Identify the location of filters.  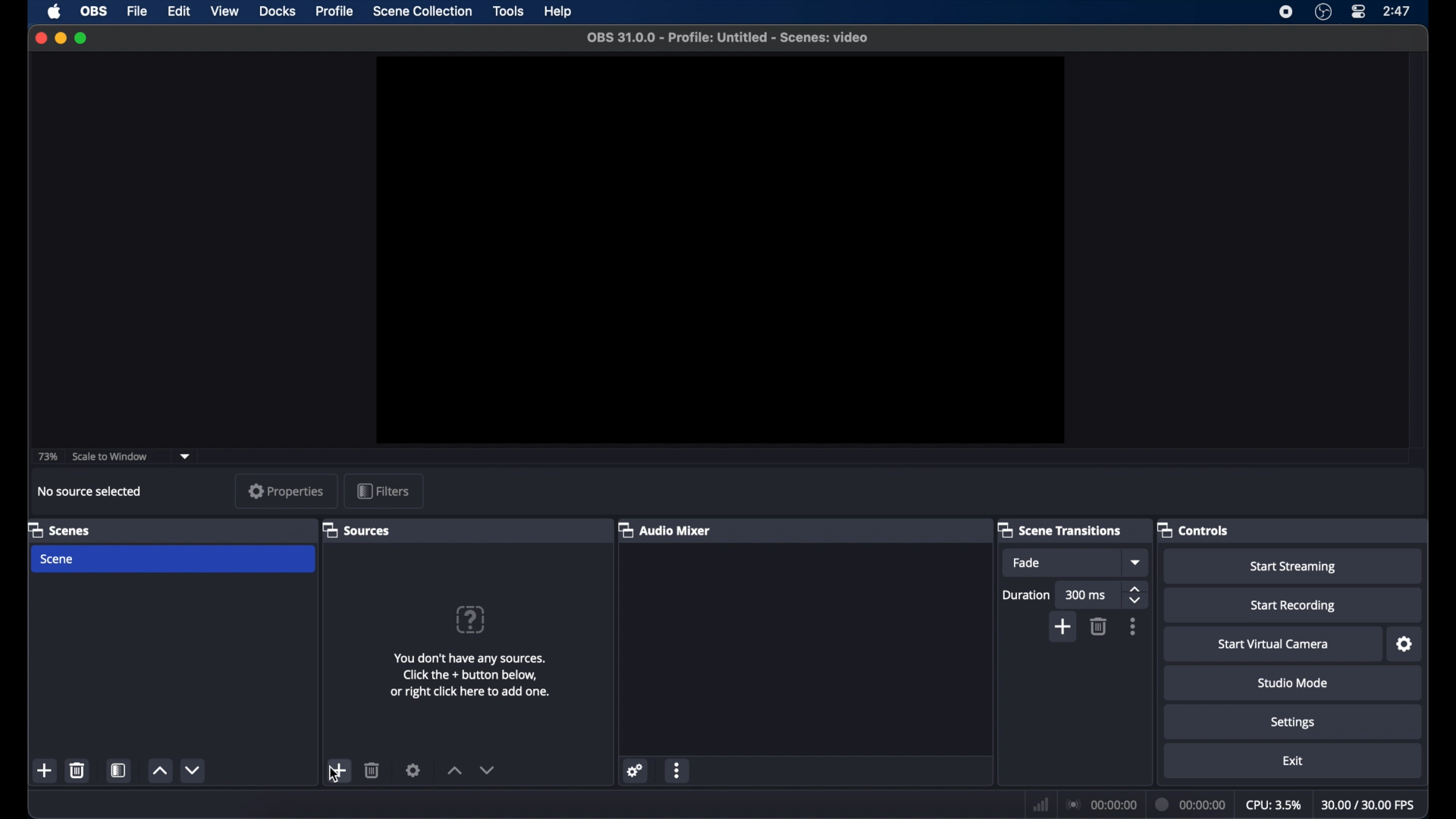
(383, 491).